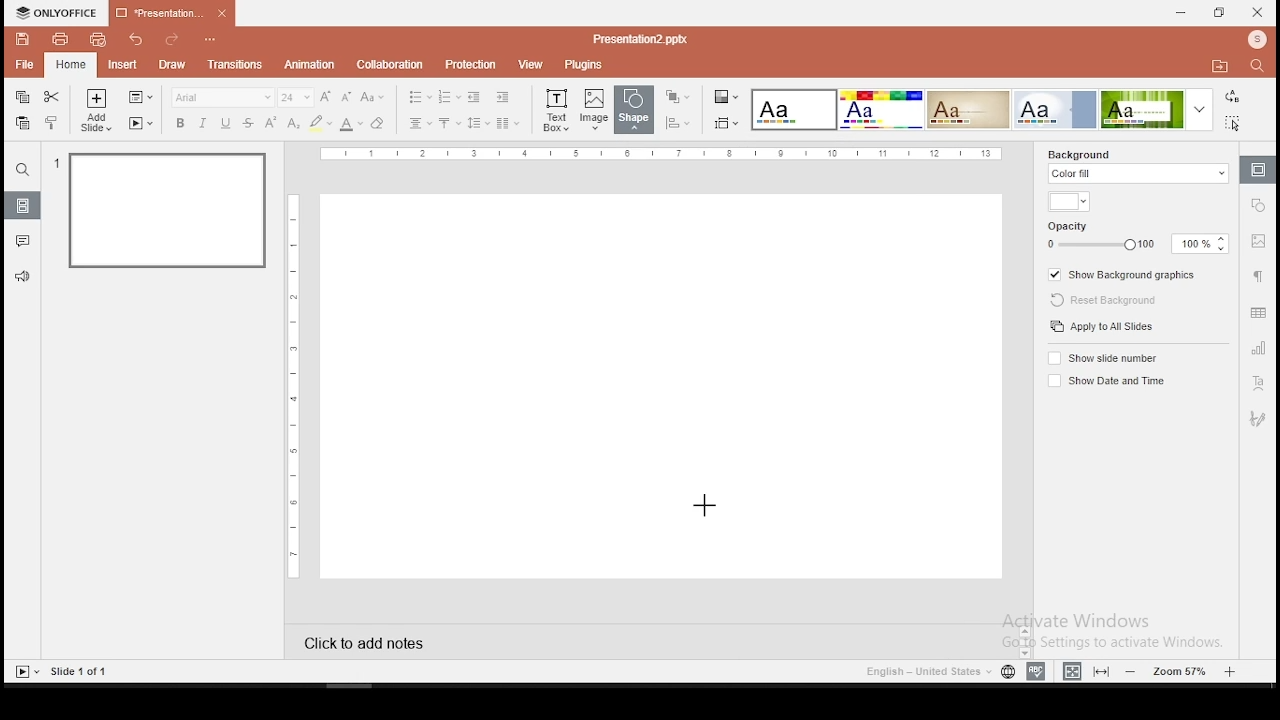  What do you see at coordinates (180, 123) in the screenshot?
I see `bold` at bounding box center [180, 123].